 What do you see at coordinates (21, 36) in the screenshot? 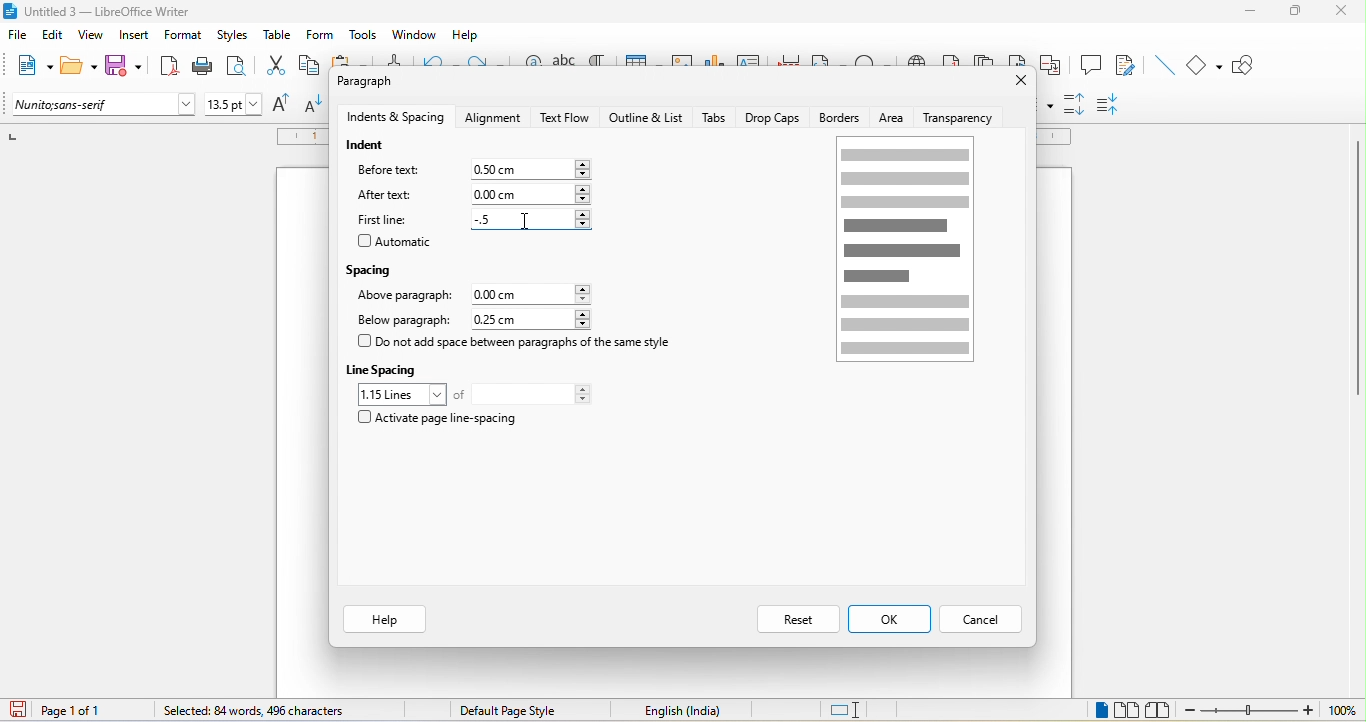
I see `file` at bounding box center [21, 36].